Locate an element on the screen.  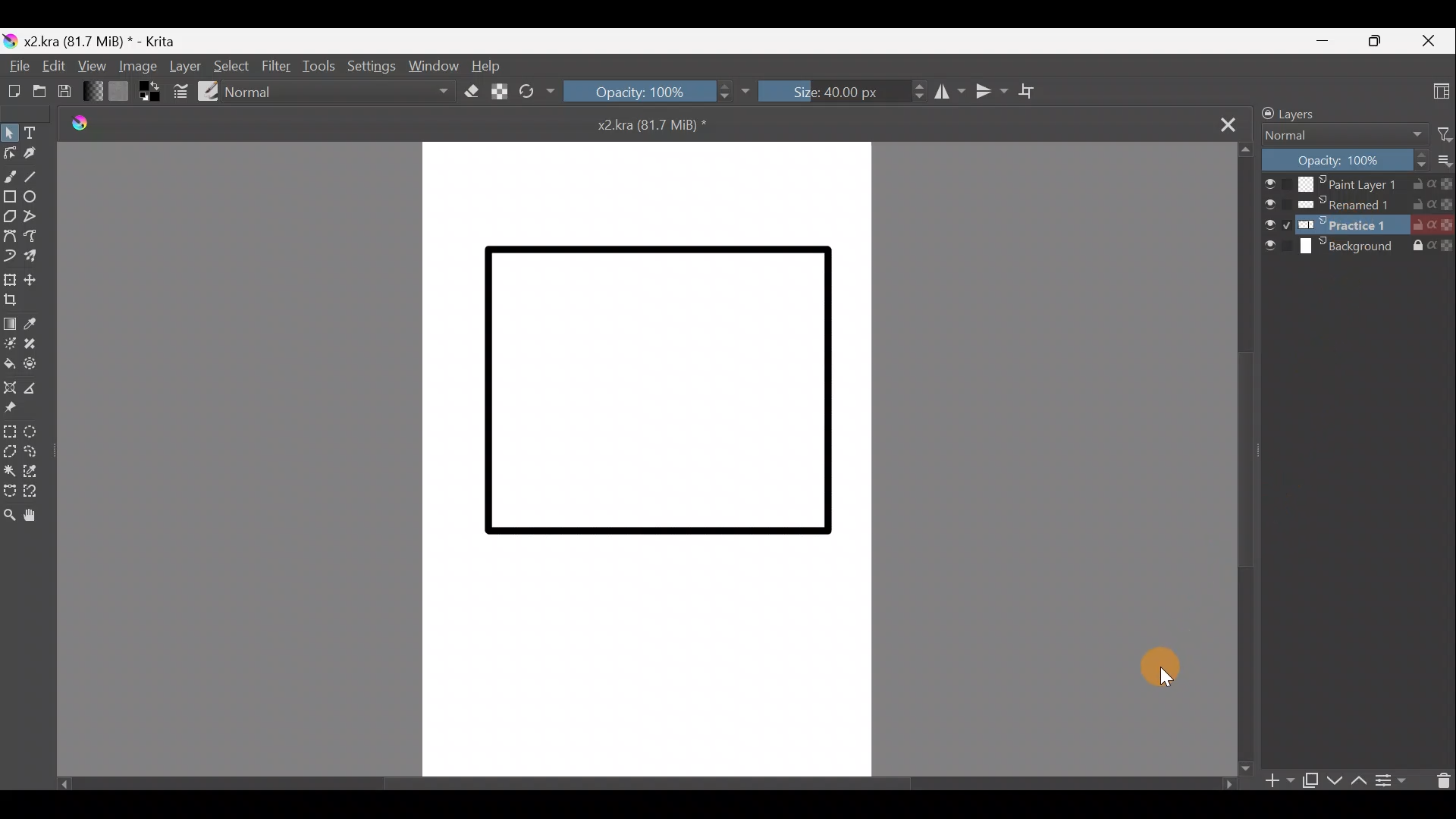
x2kra (81.7 MiB) * is located at coordinates (656, 126).